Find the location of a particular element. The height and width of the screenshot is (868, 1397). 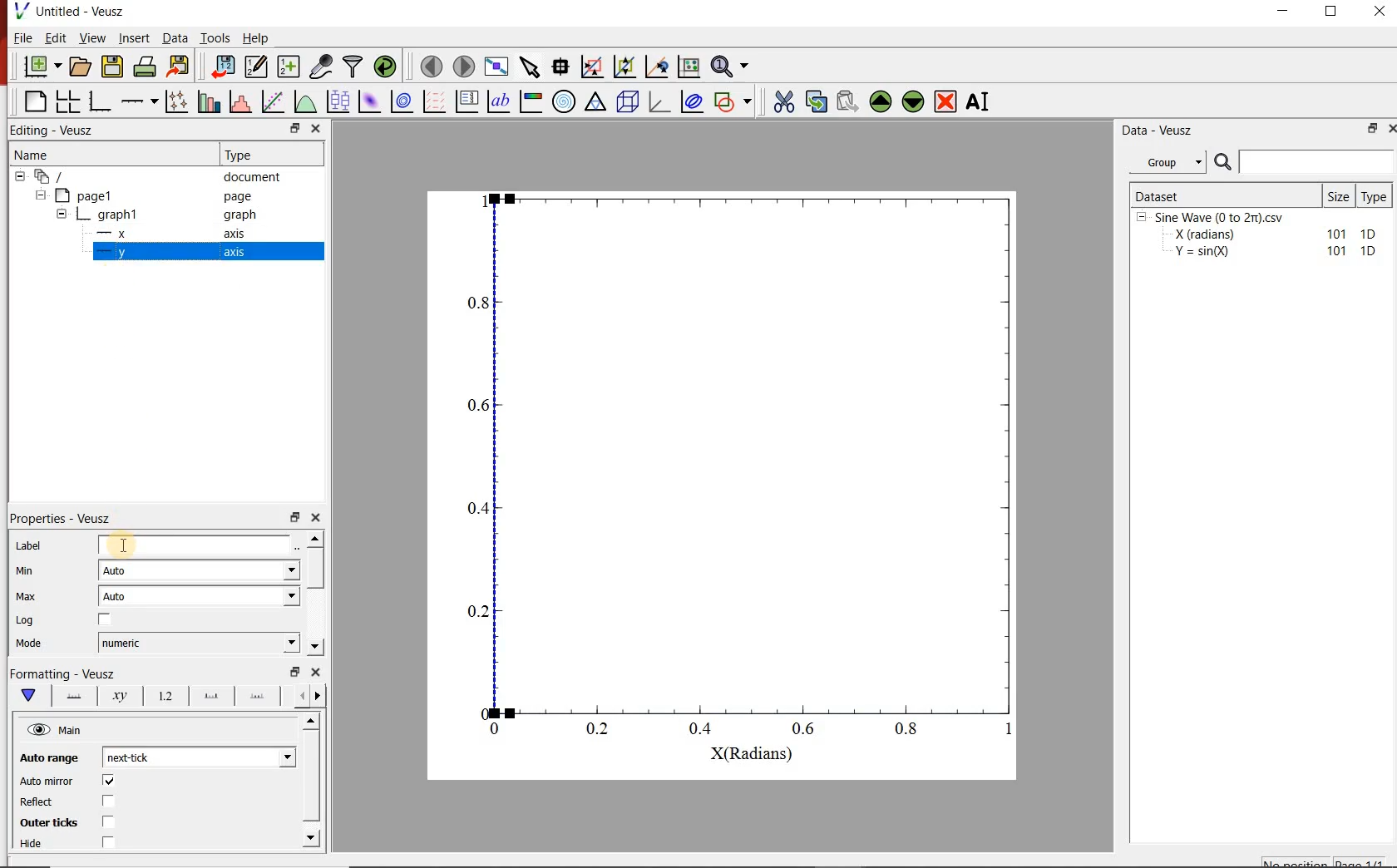

Ternary Graph is located at coordinates (596, 101).